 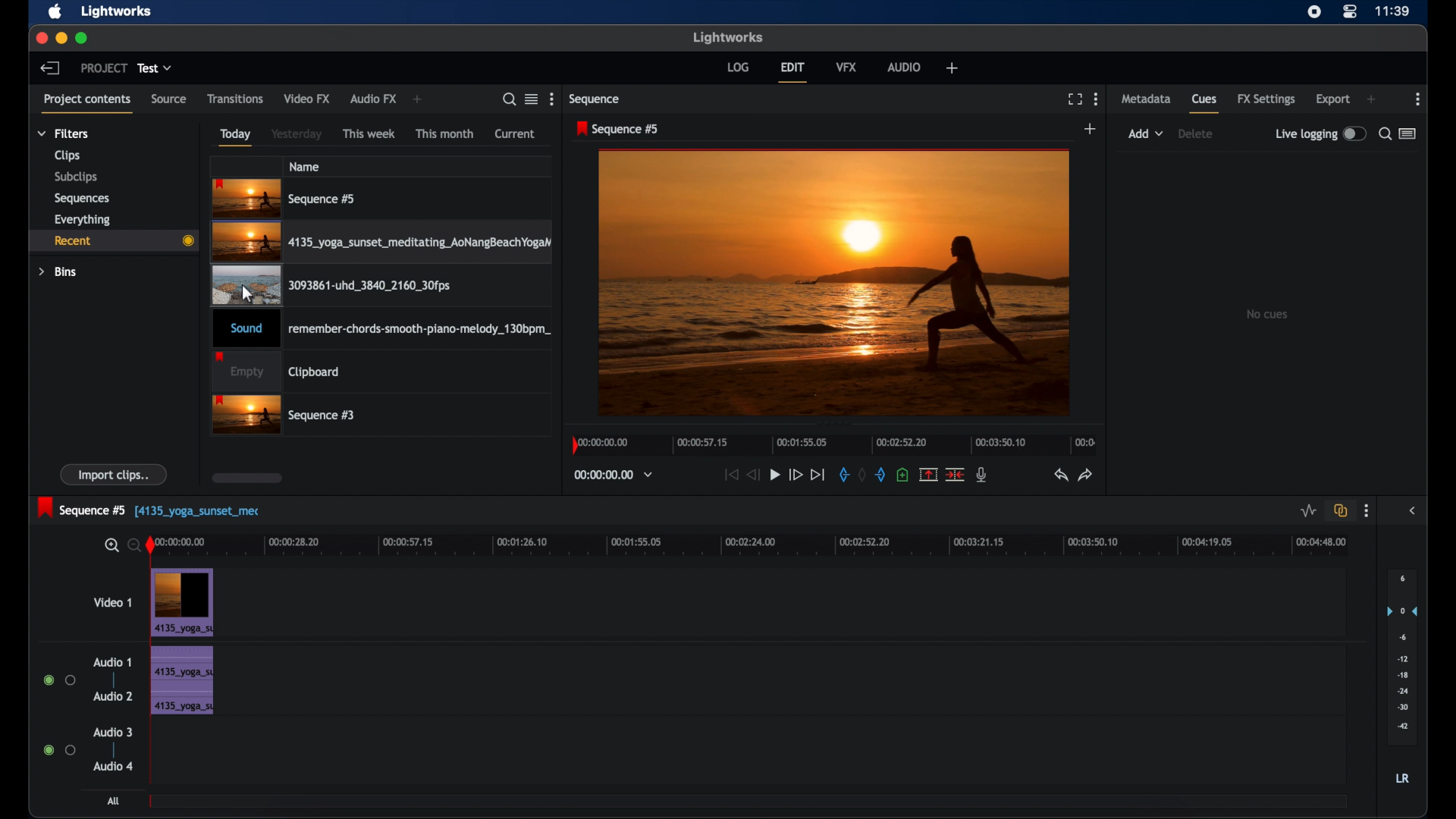 What do you see at coordinates (1086, 475) in the screenshot?
I see `redo` at bounding box center [1086, 475].